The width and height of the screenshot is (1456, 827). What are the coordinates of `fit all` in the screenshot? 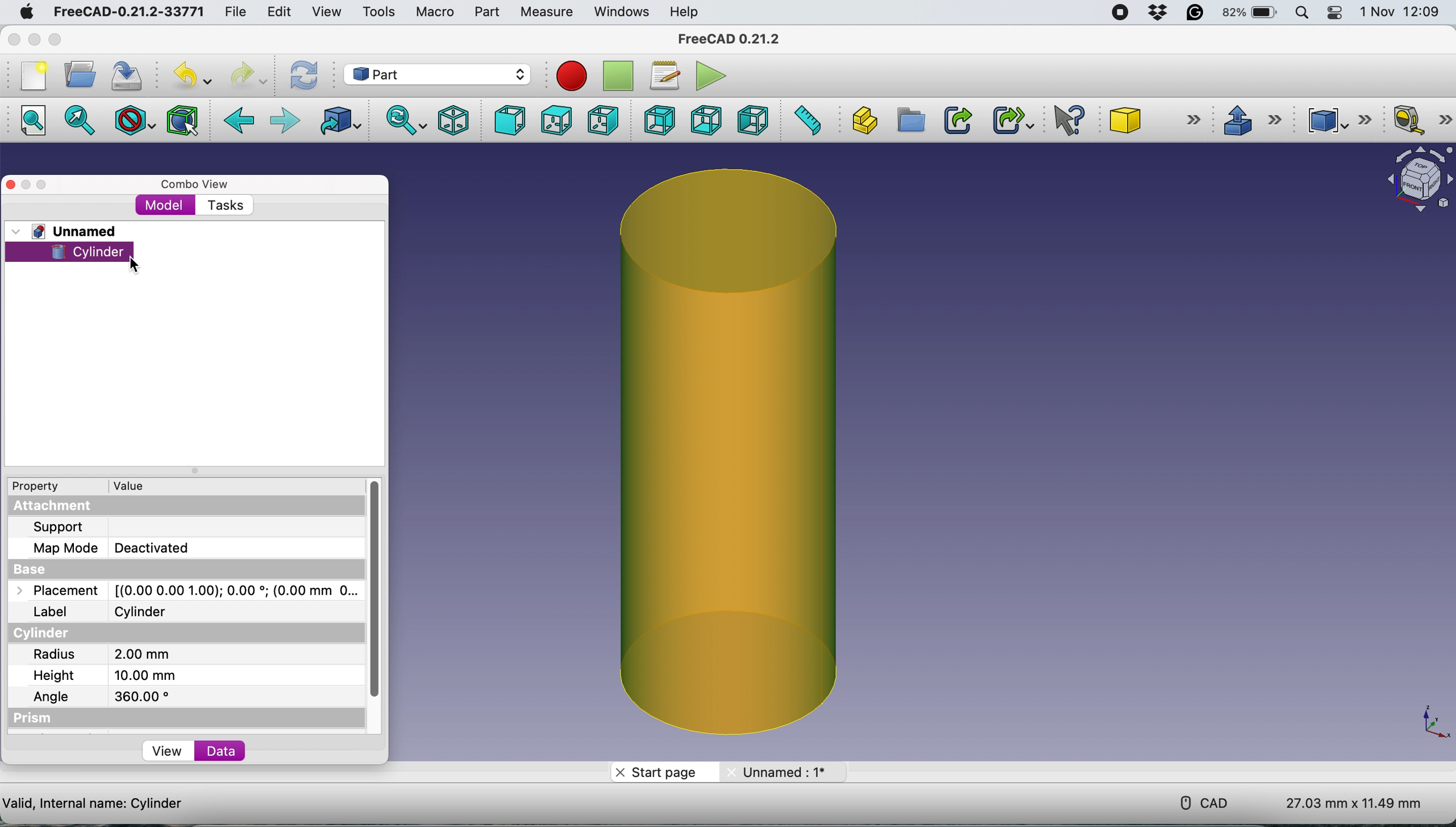 It's located at (30, 124).